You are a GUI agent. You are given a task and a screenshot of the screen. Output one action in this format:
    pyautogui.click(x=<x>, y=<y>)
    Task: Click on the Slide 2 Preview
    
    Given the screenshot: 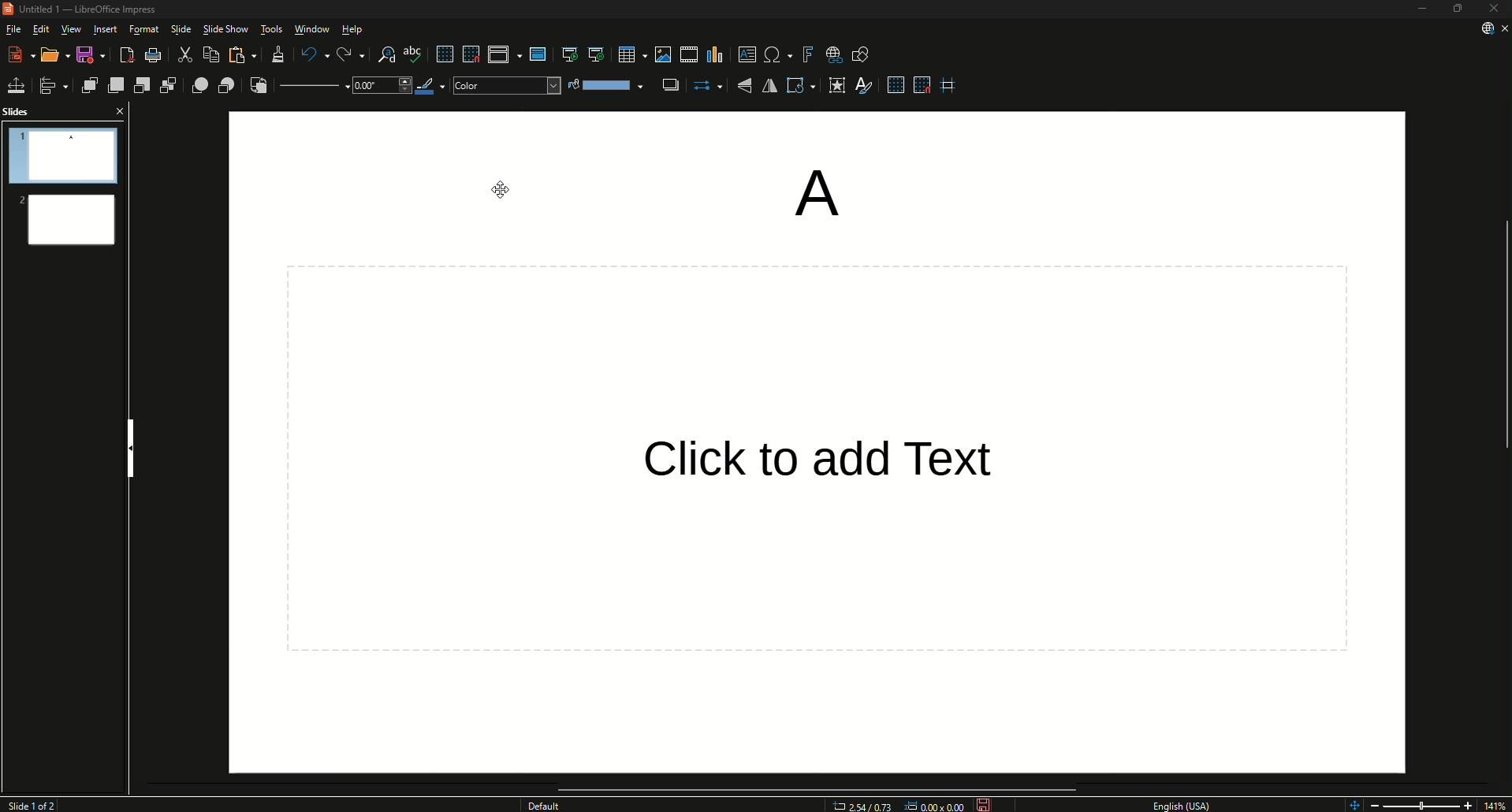 What is the action you would take?
    pyautogui.click(x=69, y=224)
    